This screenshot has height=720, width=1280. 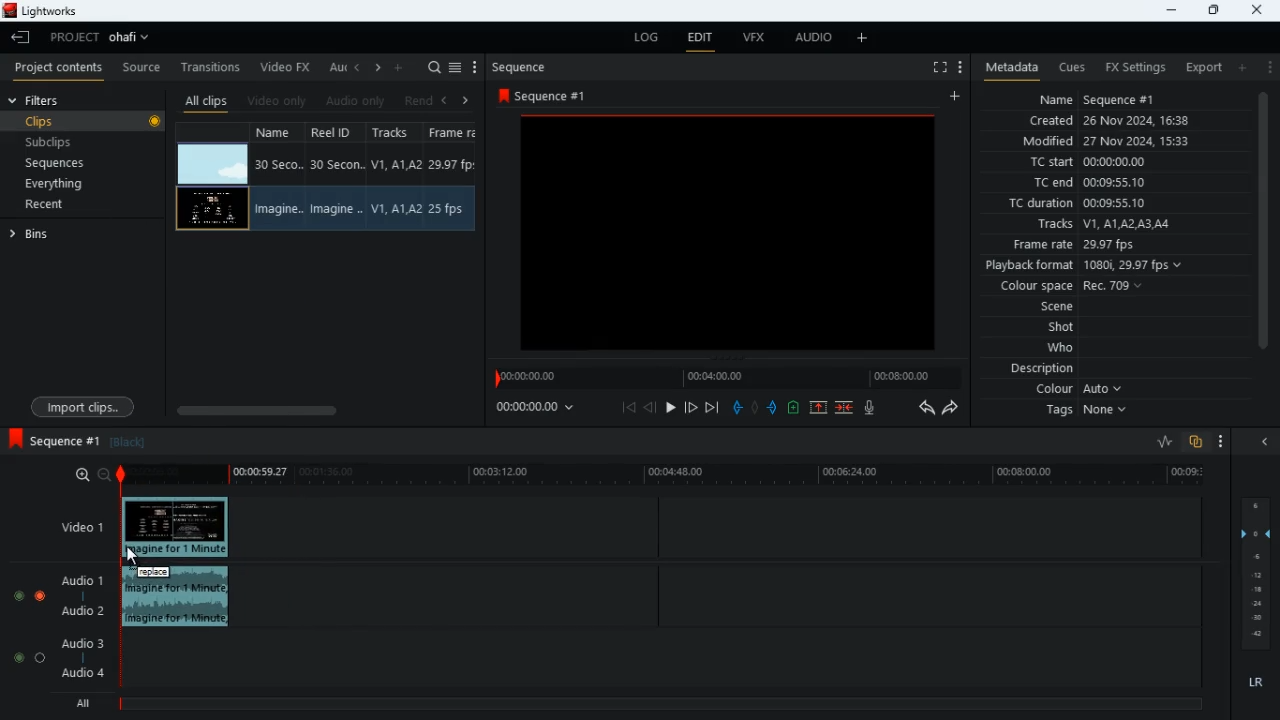 I want to click on back, so click(x=21, y=38).